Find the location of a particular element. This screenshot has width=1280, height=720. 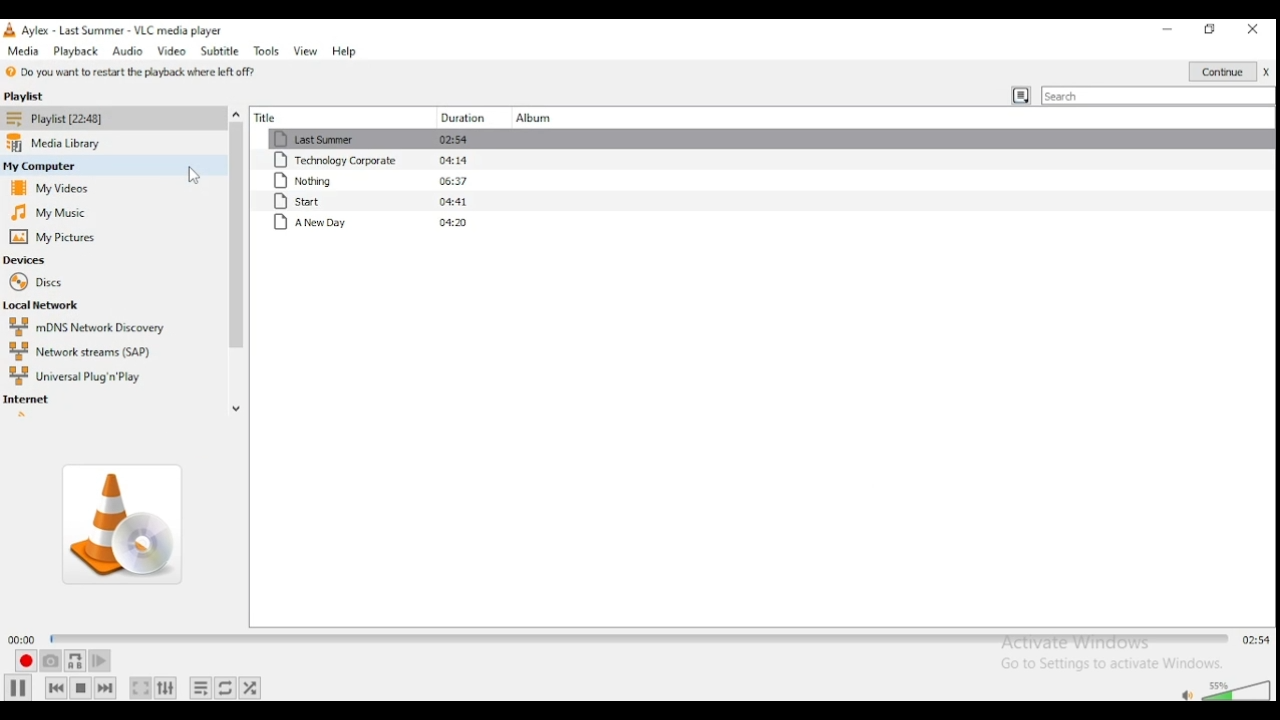

icon is located at coordinates (10, 30).